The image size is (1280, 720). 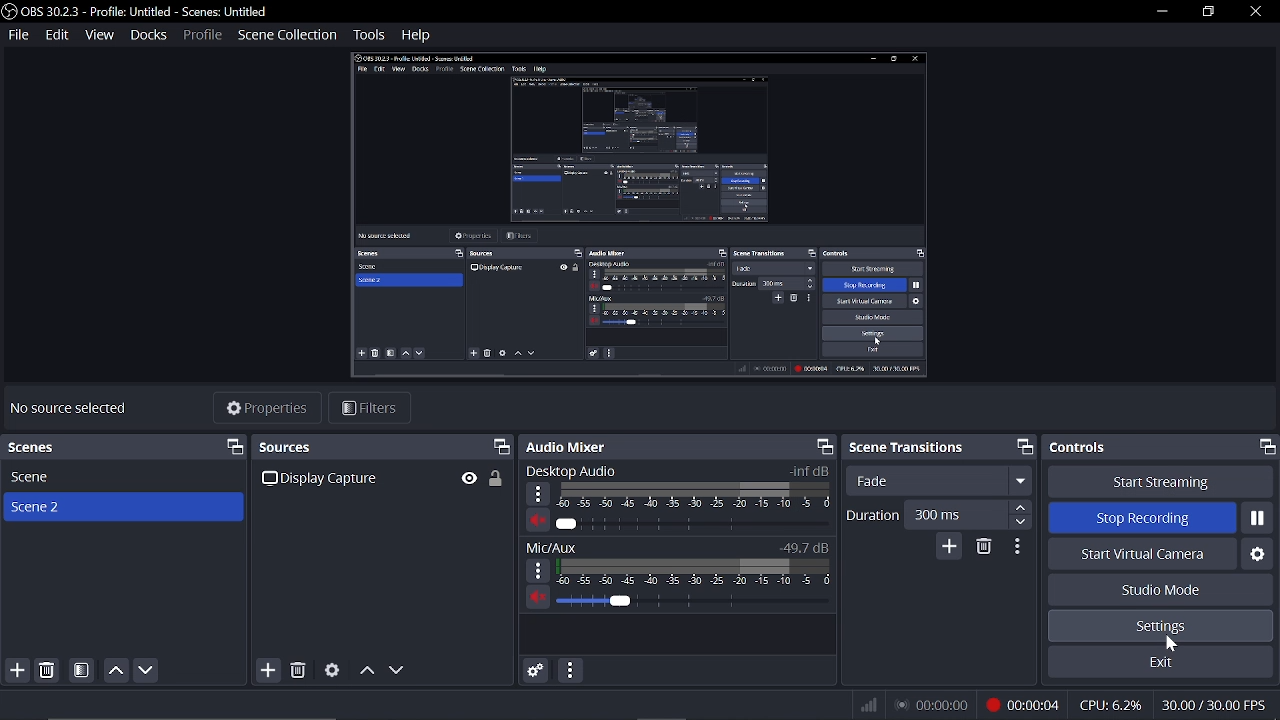 I want to click on controls, so click(x=1089, y=447).